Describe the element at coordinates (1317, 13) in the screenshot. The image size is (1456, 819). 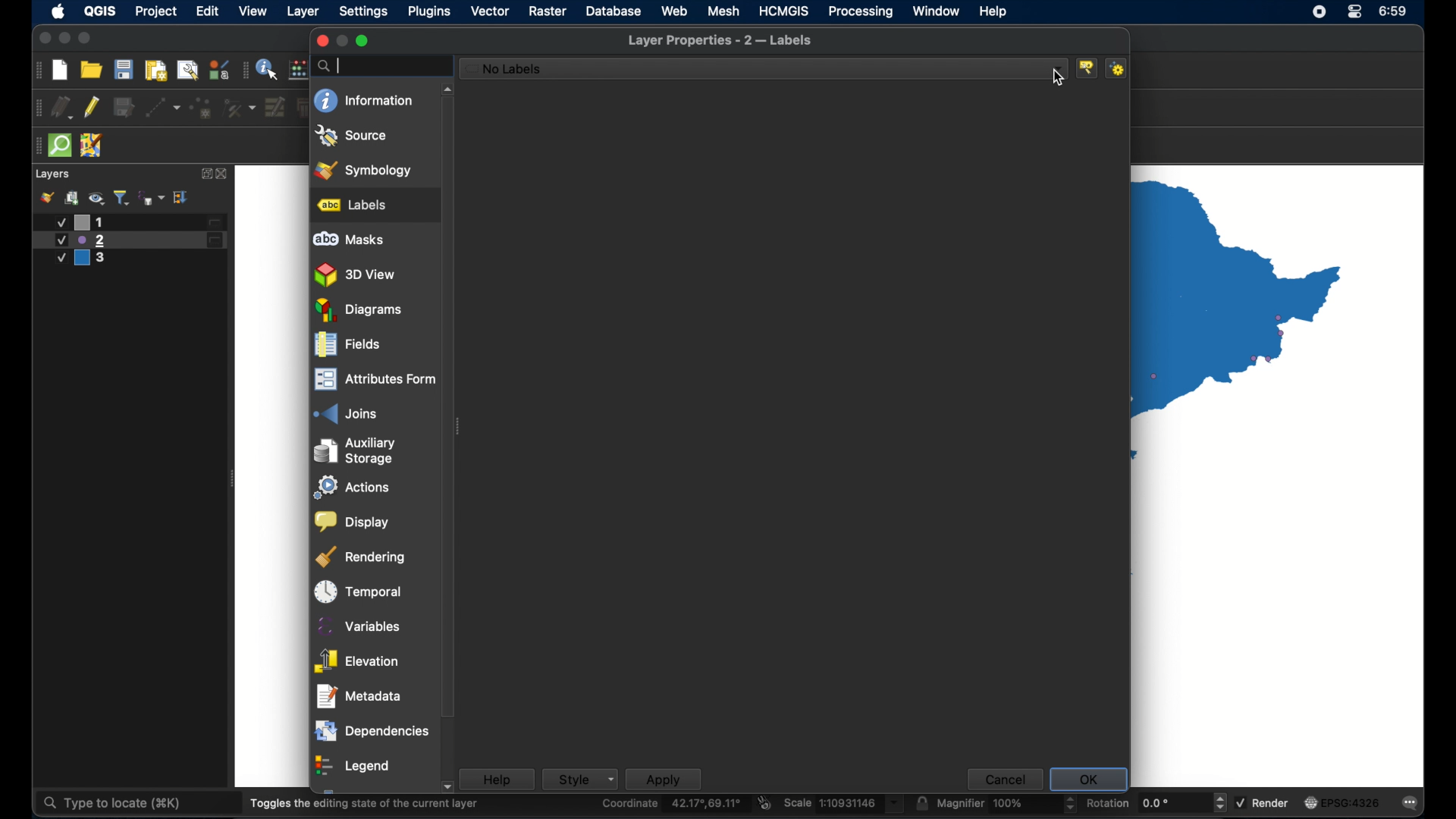
I see `control  center` at that location.